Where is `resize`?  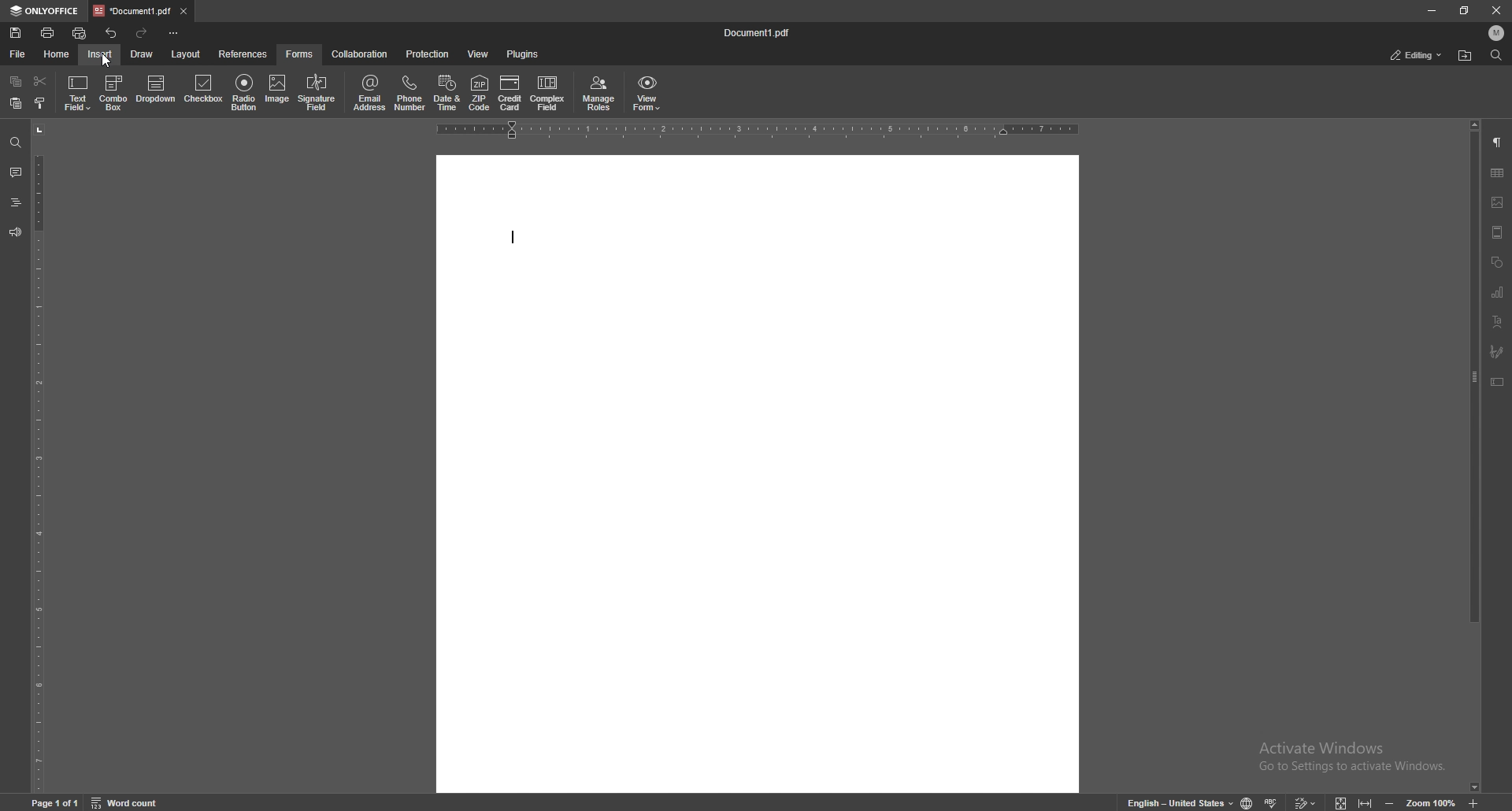 resize is located at coordinates (1464, 10).